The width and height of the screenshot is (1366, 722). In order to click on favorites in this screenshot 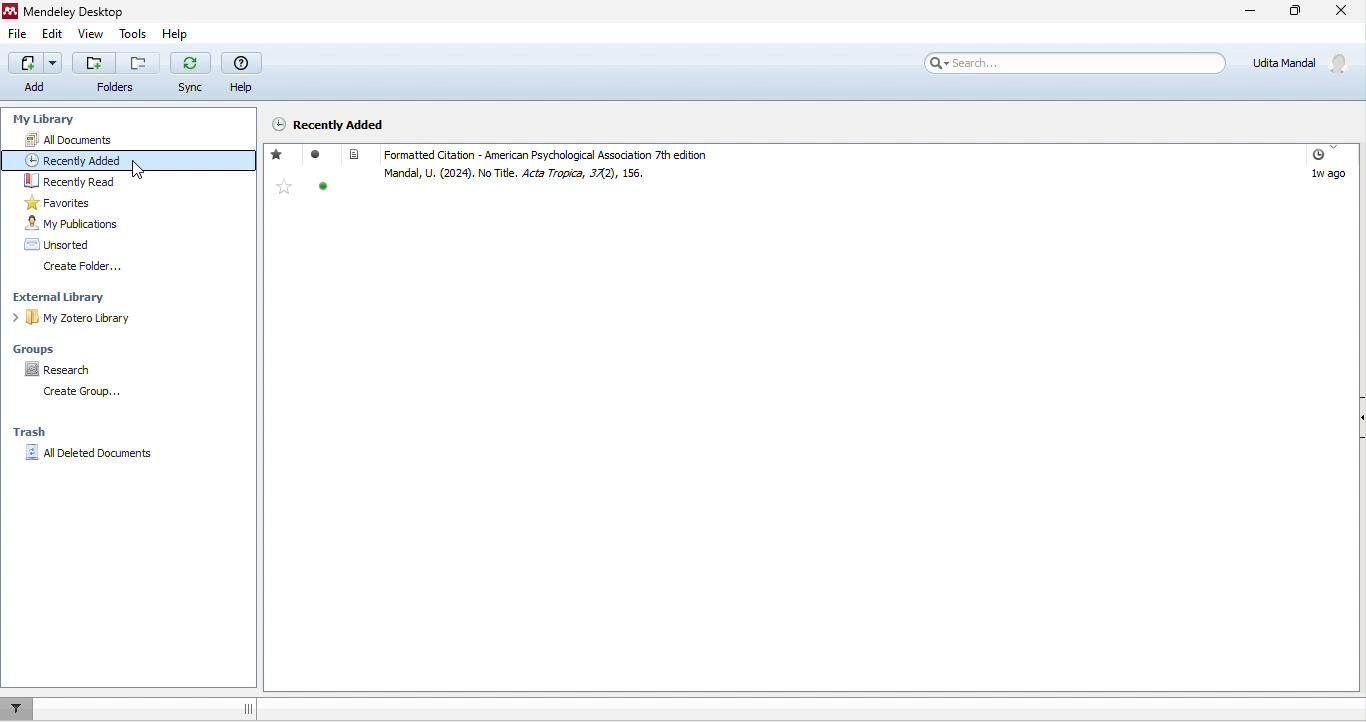, I will do `click(68, 203)`.